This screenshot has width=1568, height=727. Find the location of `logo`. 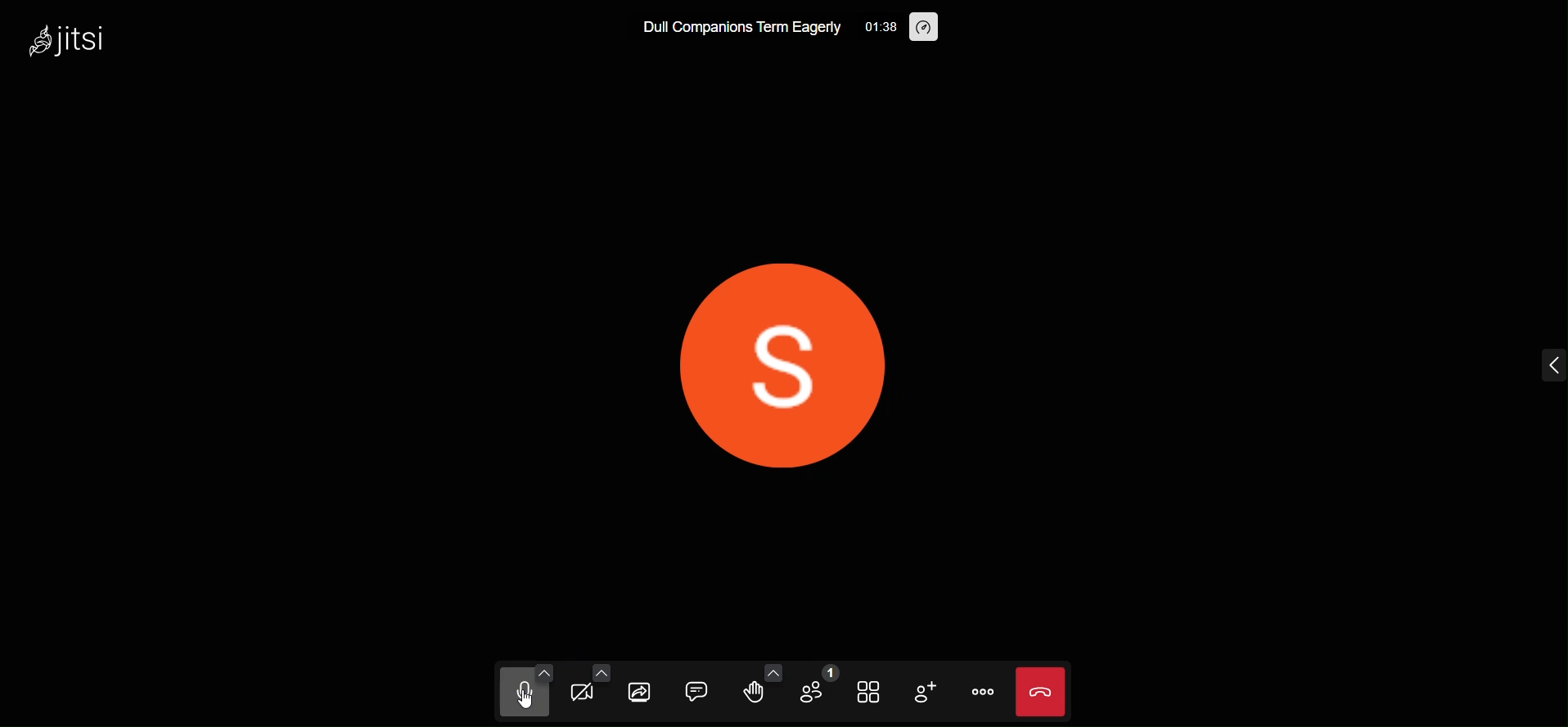

logo is located at coordinates (75, 38).